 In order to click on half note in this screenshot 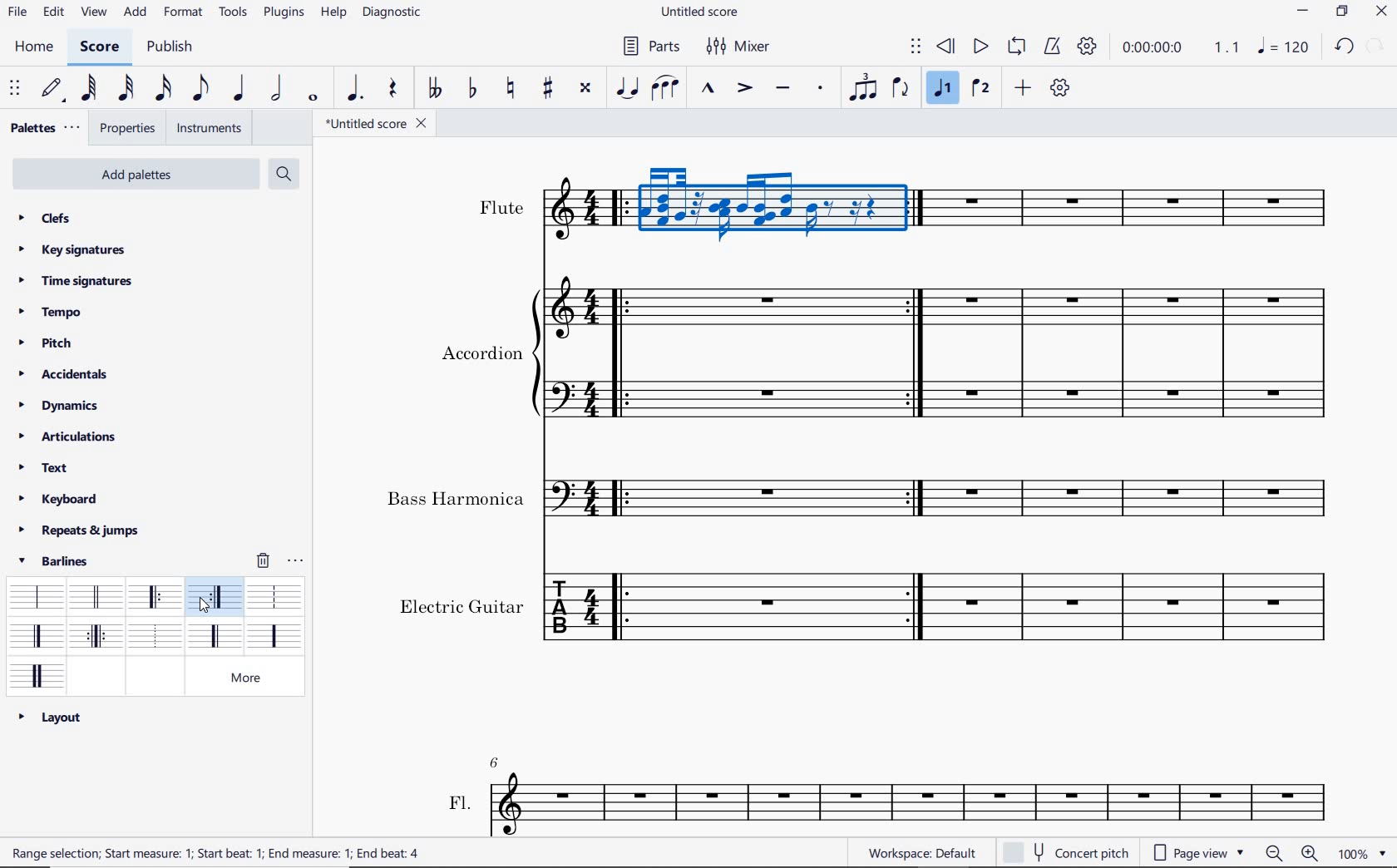, I will do `click(276, 89)`.